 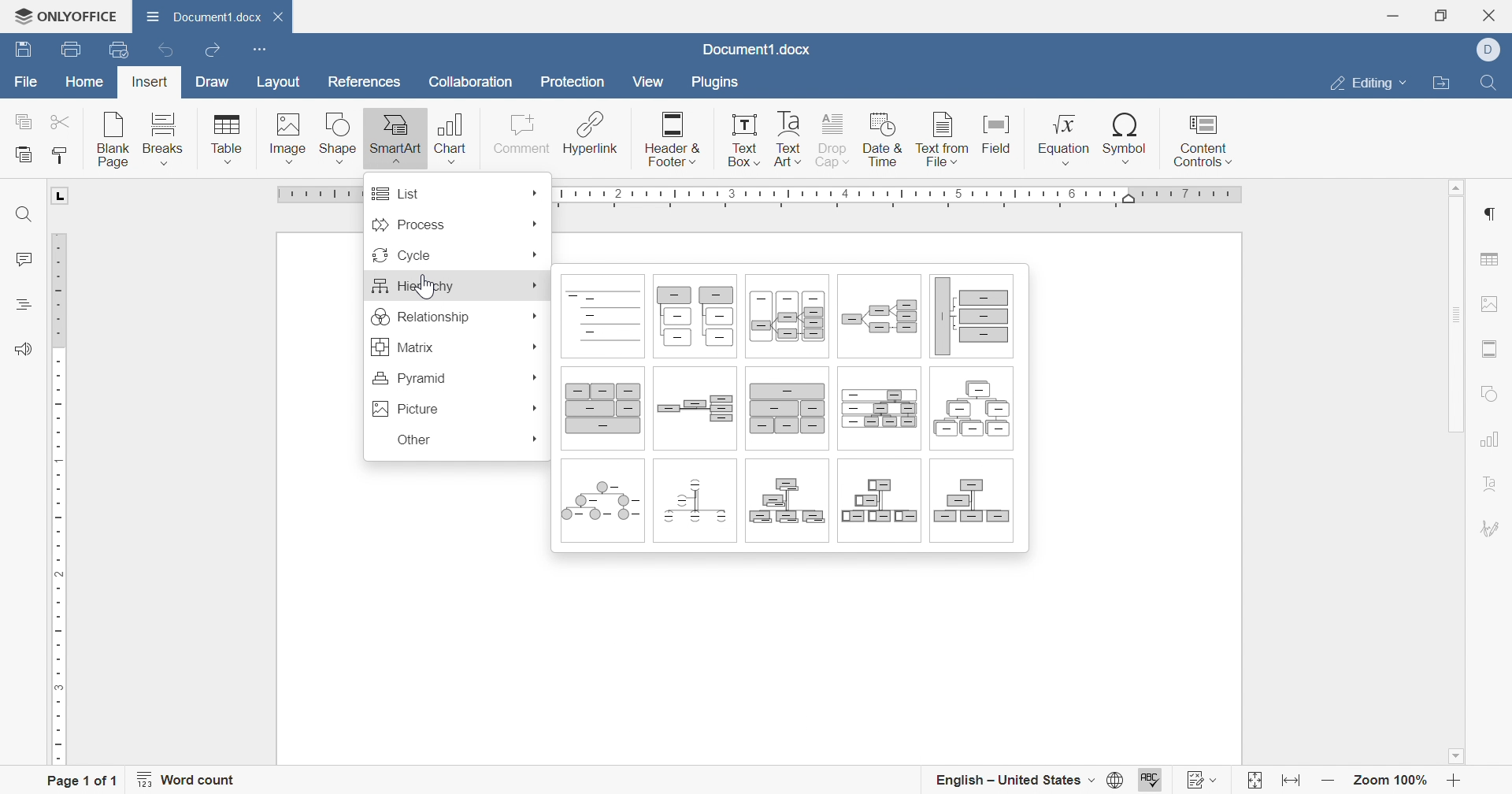 I want to click on Track changes, so click(x=1203, y=781).